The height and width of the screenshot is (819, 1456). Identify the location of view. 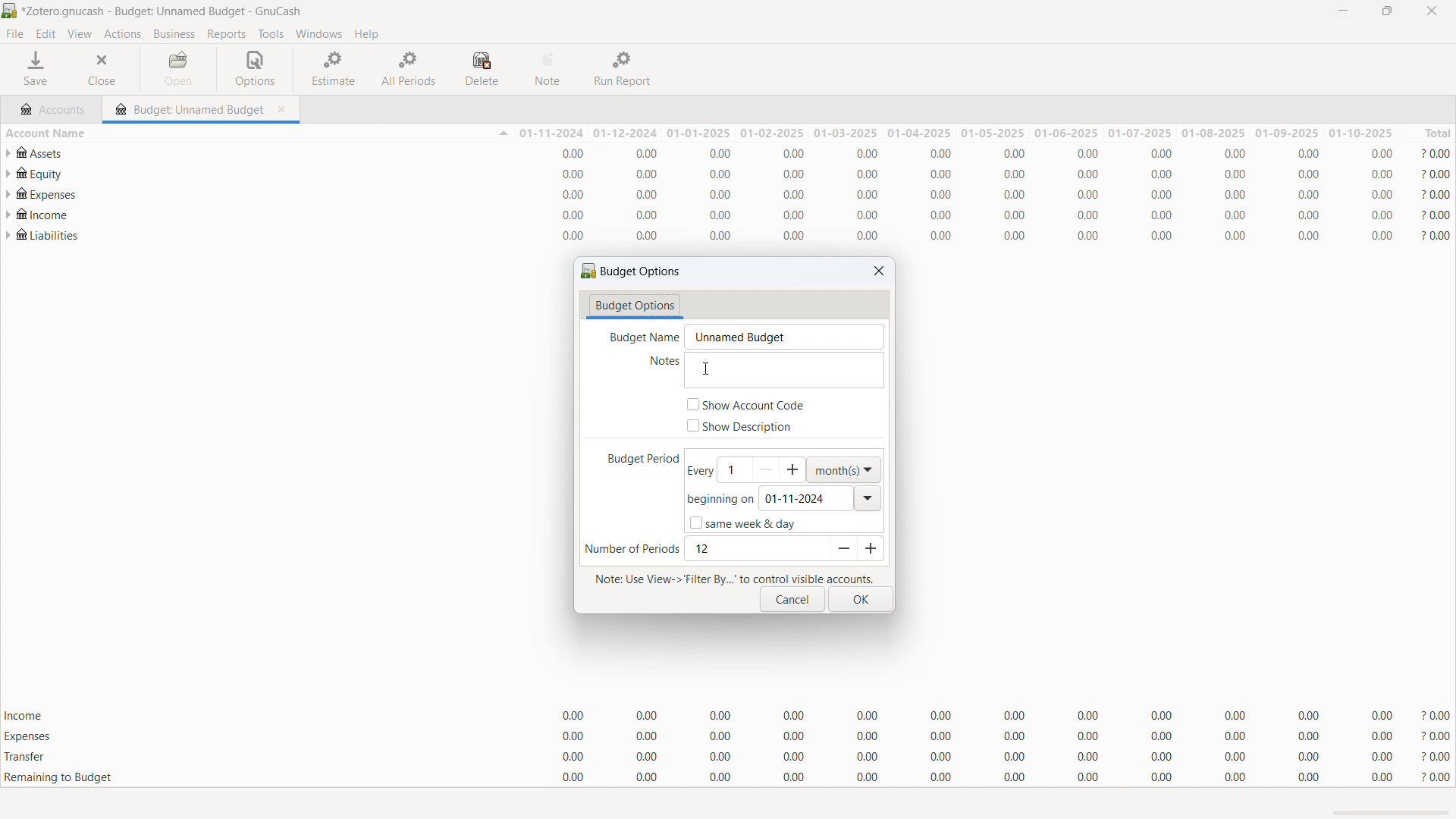
(79, 34).